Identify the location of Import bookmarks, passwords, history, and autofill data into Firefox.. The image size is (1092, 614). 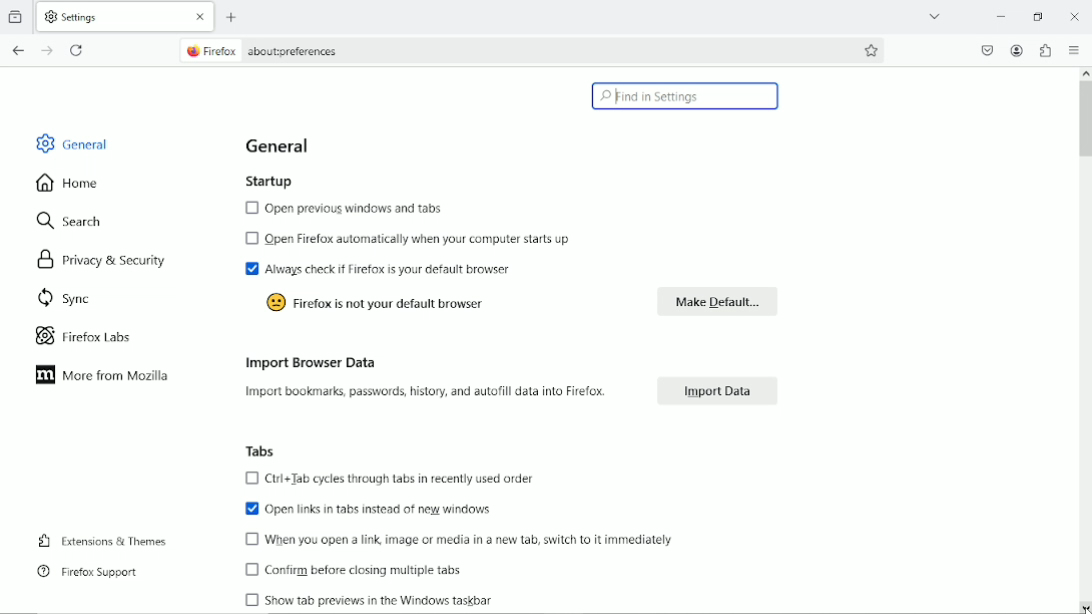
(434, 394).